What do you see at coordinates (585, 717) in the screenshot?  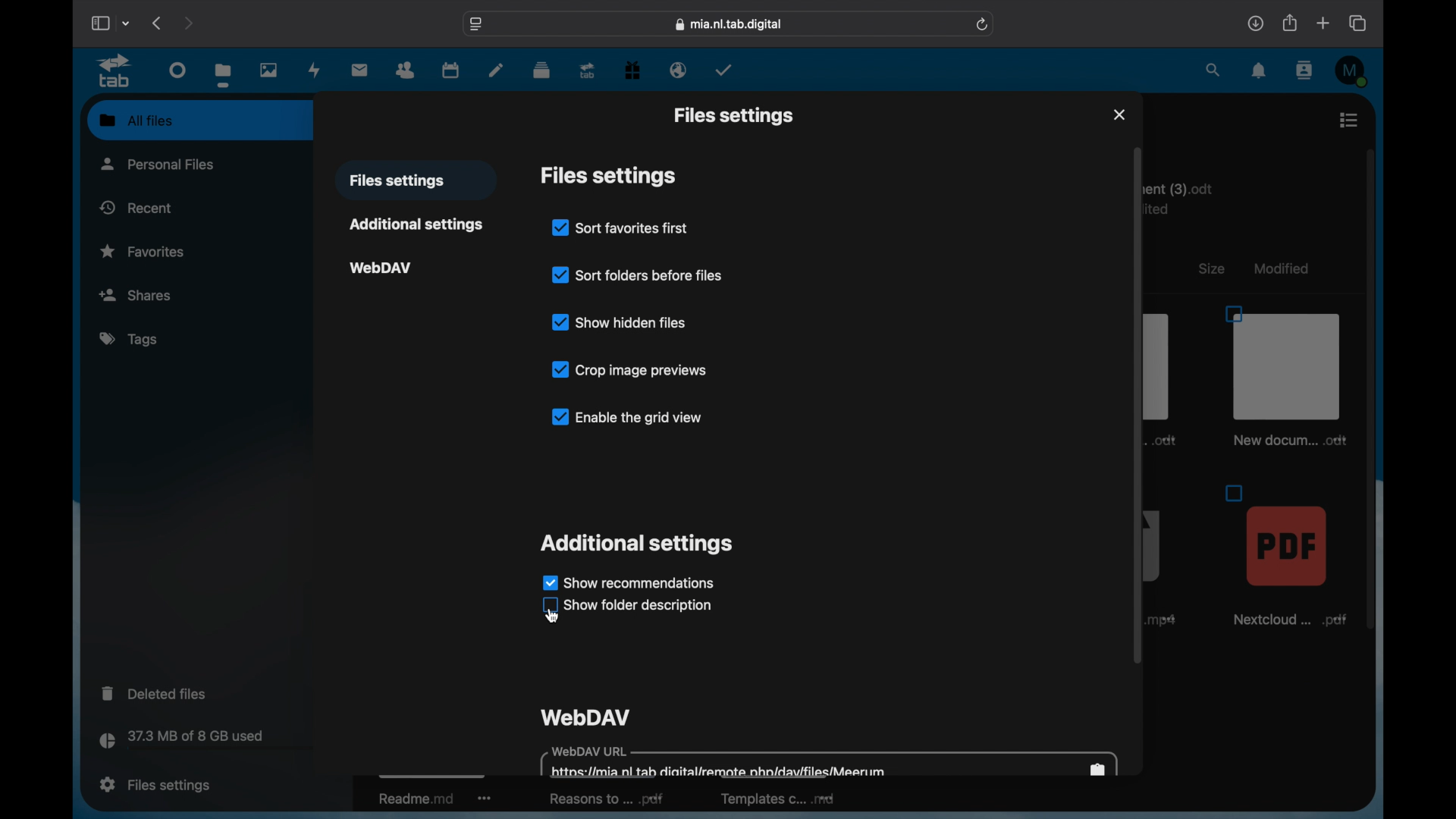 I see `webdav` at bounding box center [585, 717].